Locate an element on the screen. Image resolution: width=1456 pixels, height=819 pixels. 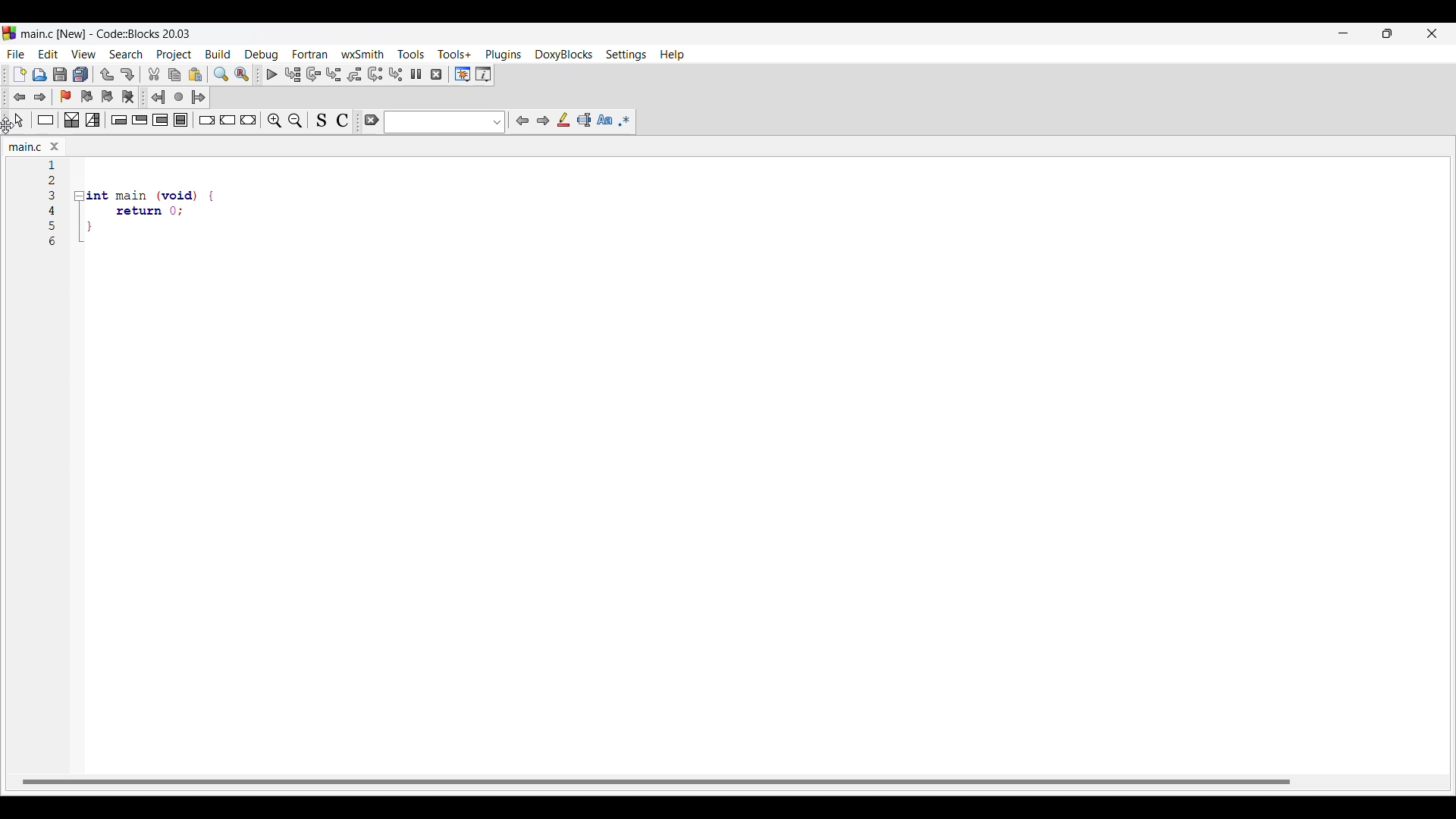
Project name, software name and version is located at coordinates (106, 33).